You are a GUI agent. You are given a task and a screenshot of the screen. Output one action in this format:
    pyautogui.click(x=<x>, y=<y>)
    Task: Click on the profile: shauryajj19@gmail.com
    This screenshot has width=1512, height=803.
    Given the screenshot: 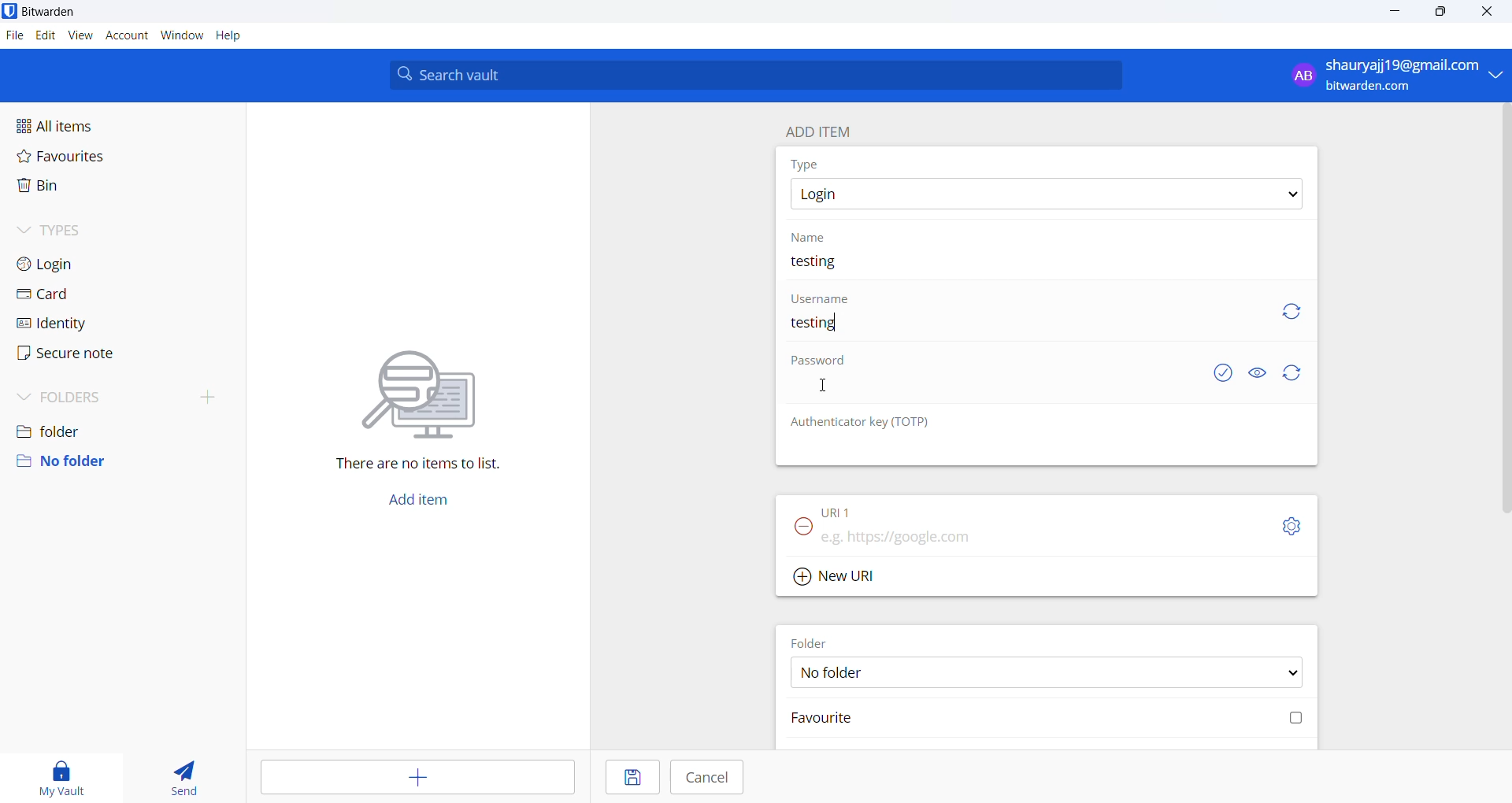 What is the action you would take?
    pyautogui.click(x=1392, y=75)
    